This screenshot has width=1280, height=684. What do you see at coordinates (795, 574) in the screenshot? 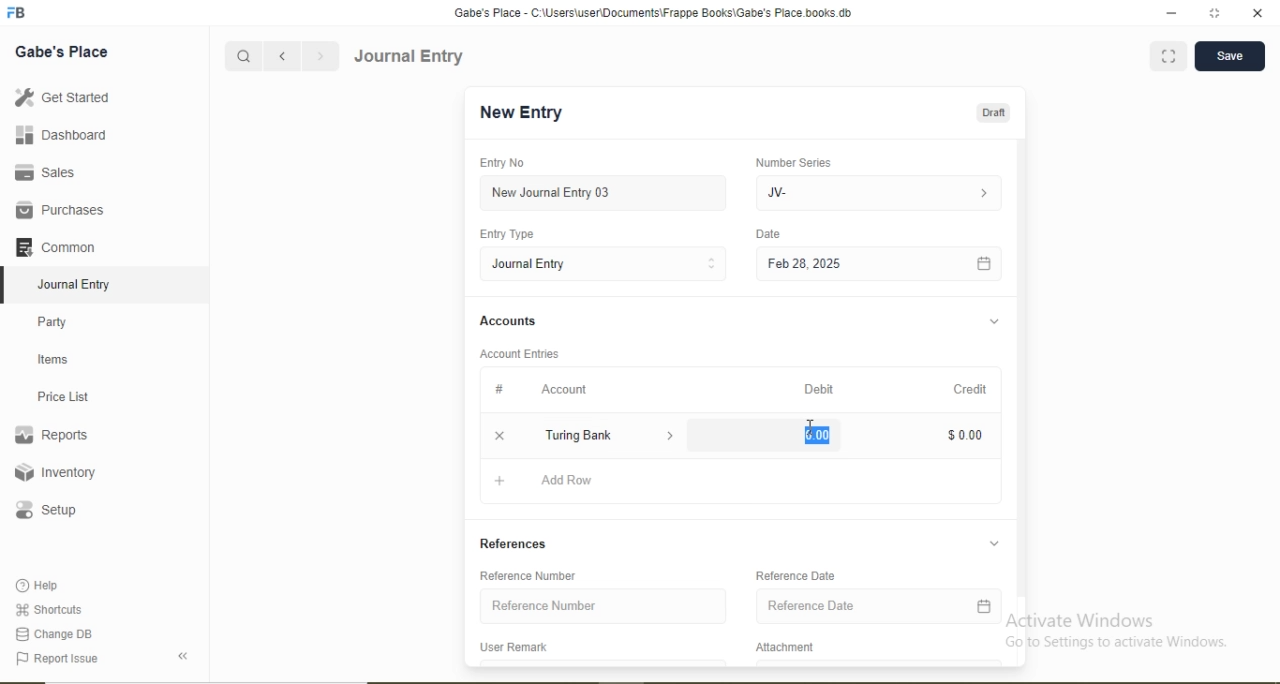
I see `Reference Date` at bounding box center [795, 574].